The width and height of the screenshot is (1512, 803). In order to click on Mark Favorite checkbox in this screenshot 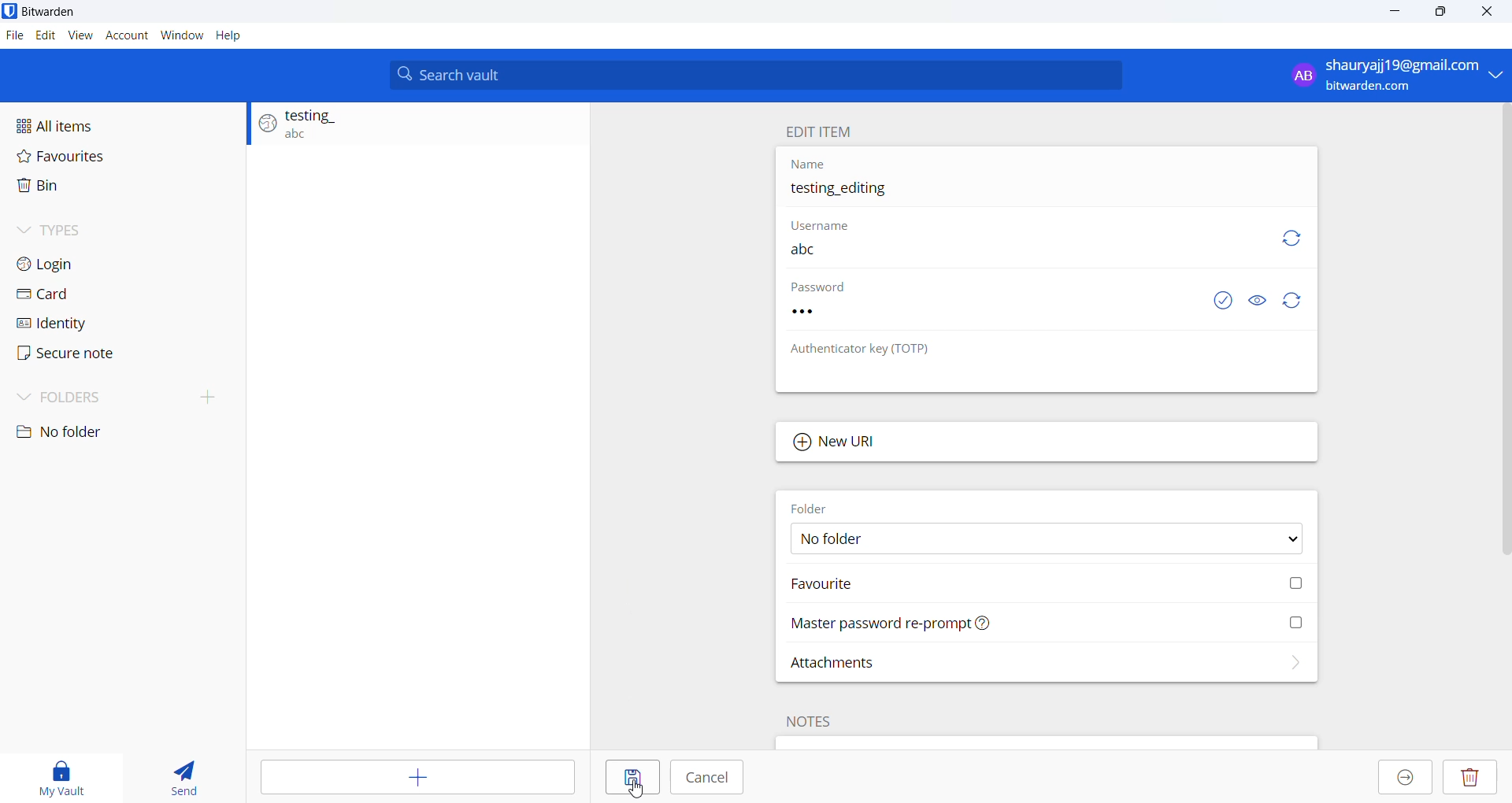, I will do `click(1039, 586)`.